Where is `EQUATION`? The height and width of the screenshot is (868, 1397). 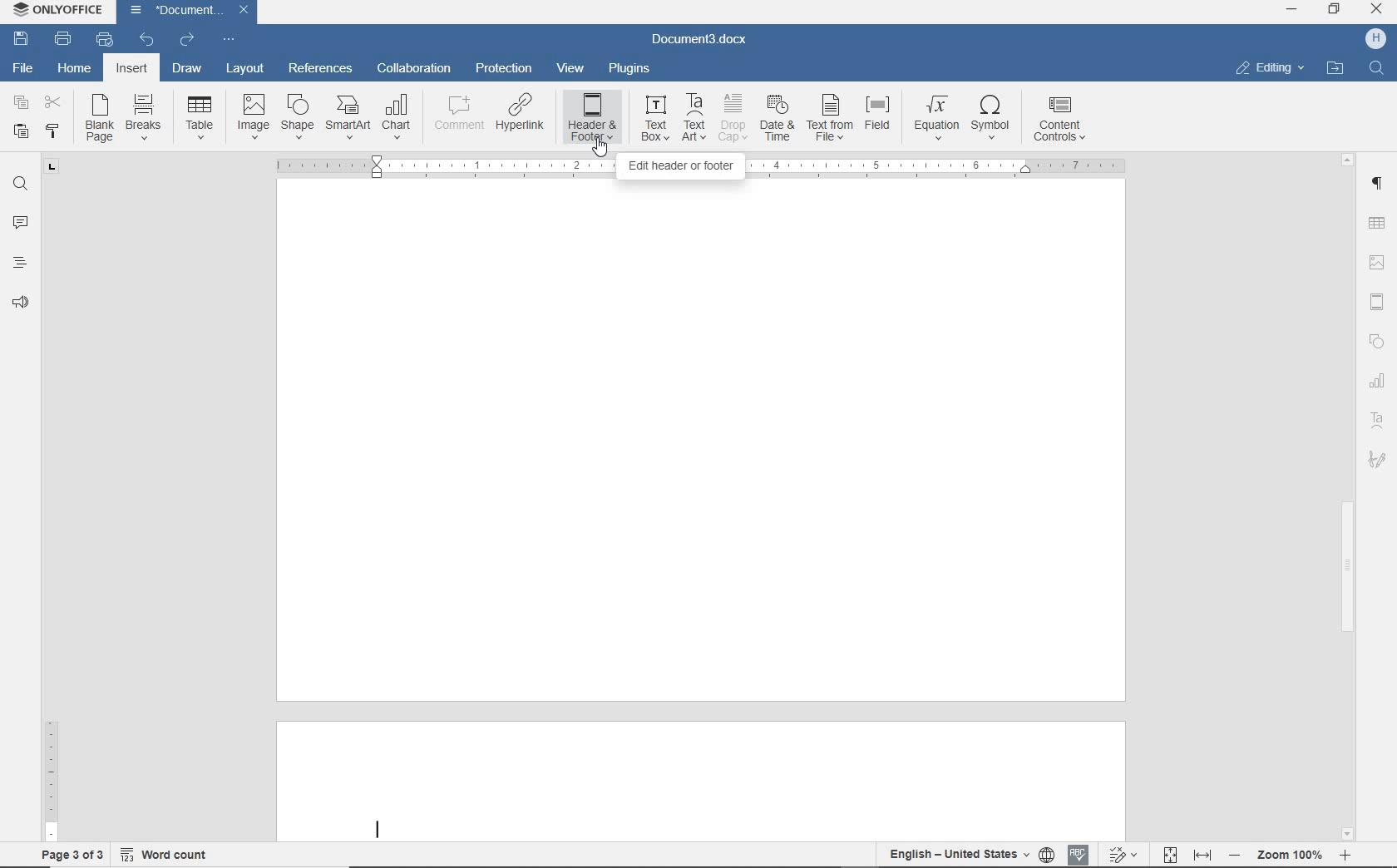
EQUATION is located at coordinates (937, 118).